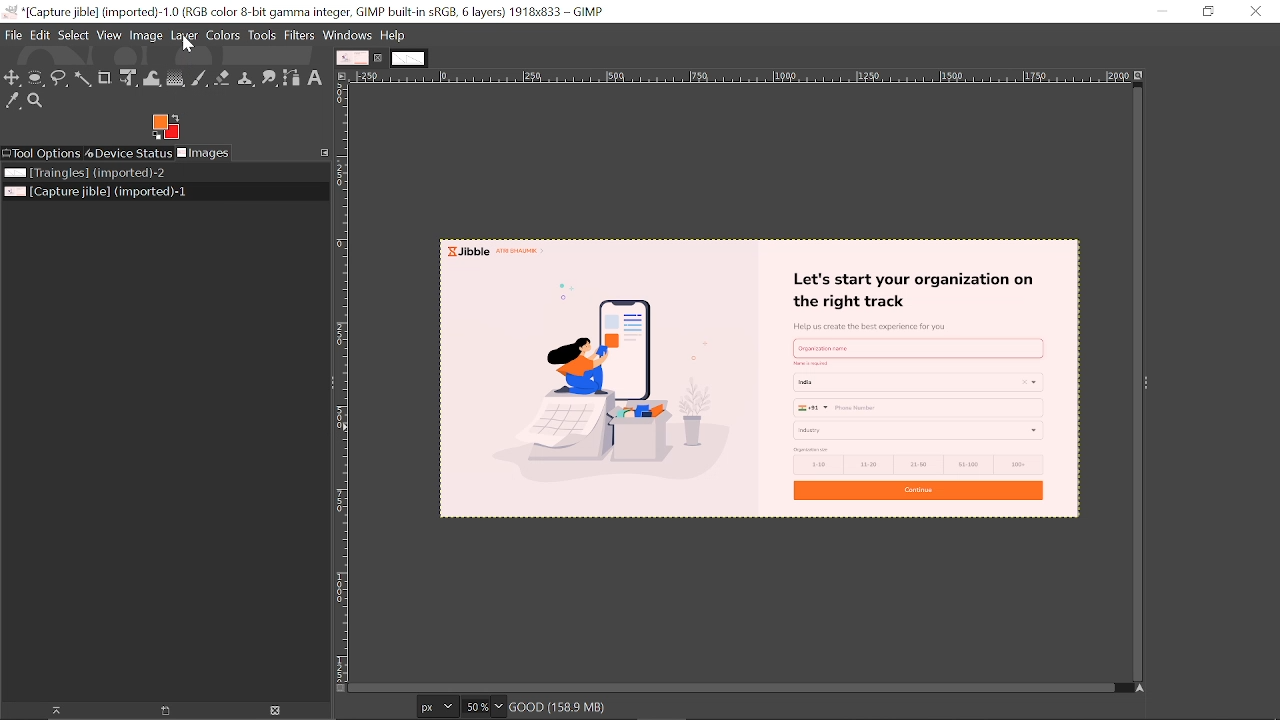  Describe the element at coordinates (105, 77) in the screenshot. I see `Crop text` at that location.